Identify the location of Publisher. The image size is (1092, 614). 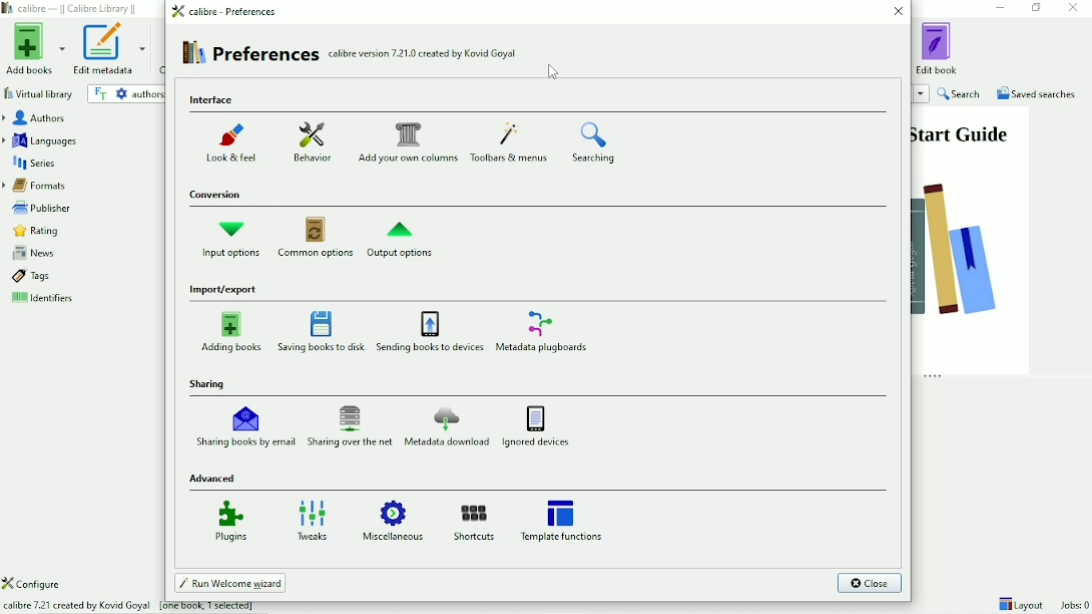
(78, 208).